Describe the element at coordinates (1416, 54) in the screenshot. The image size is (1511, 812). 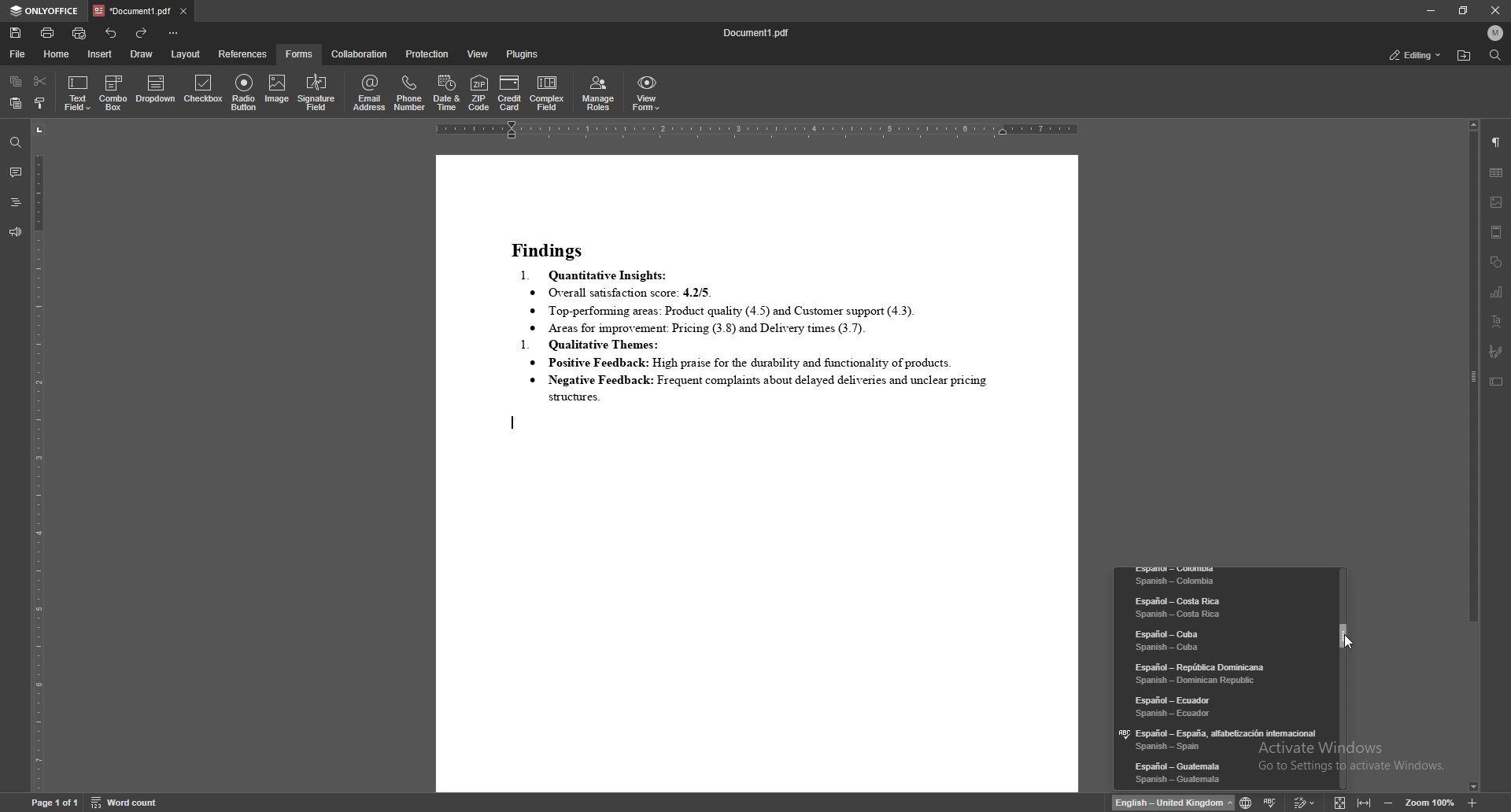
I see `status` at that location.